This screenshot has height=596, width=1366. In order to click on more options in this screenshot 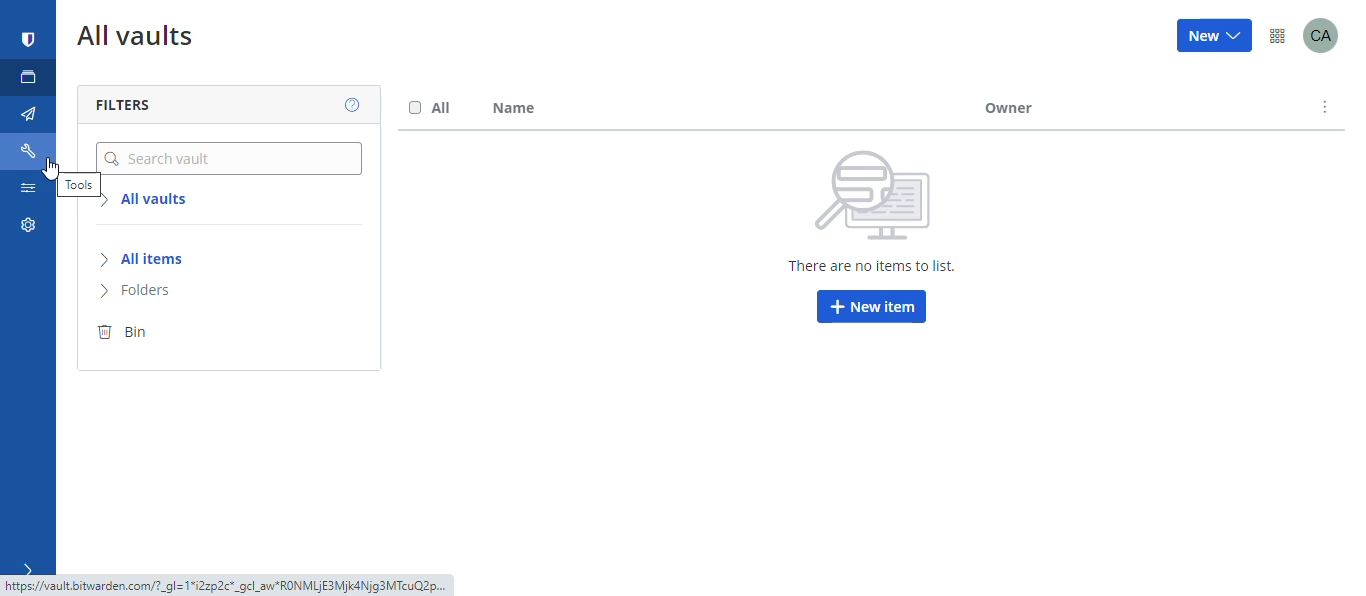, I will do `click(1326, 108)`.